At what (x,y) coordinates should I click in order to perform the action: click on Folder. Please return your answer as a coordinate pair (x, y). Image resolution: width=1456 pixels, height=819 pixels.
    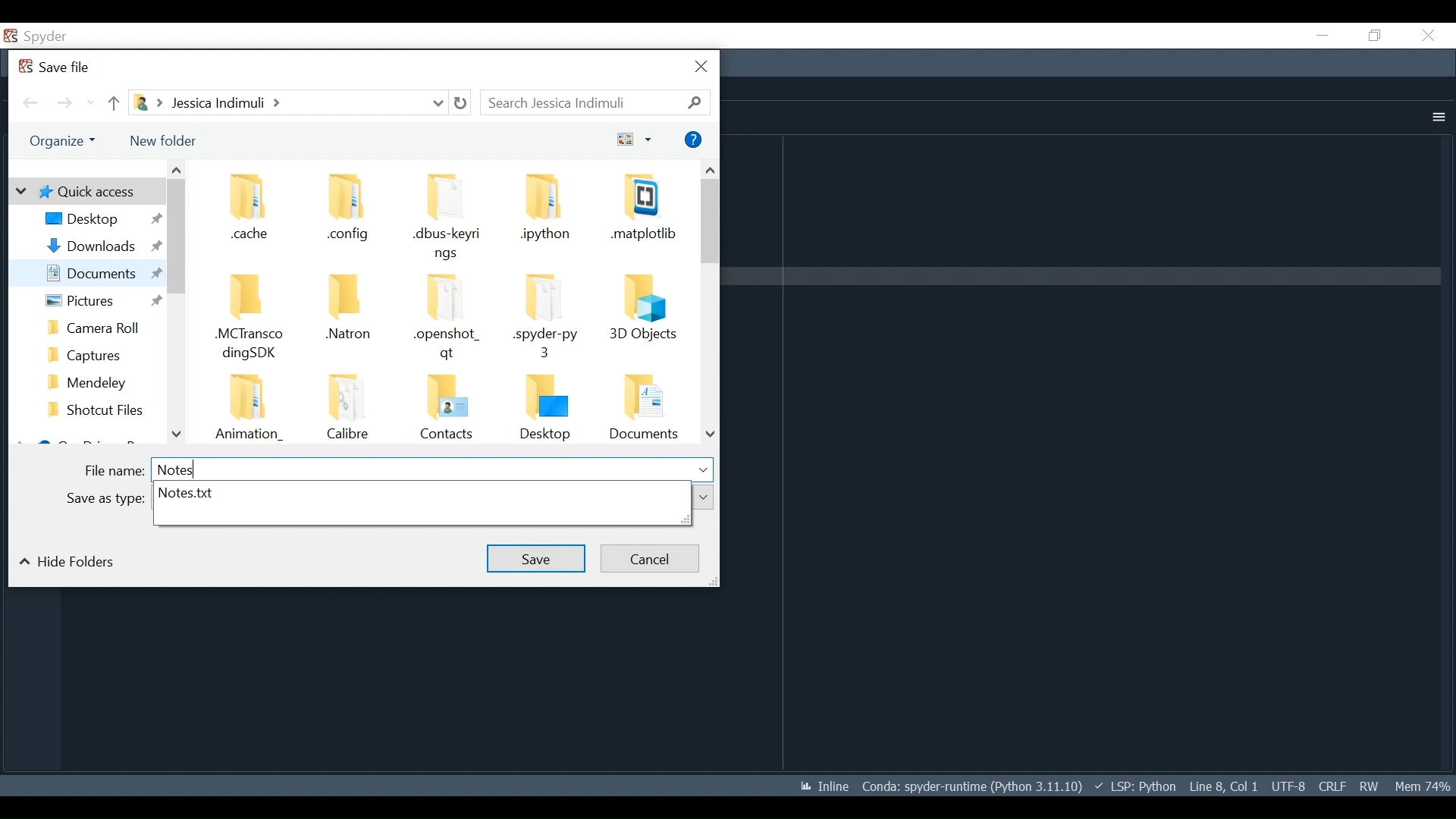
    Looking at the image, I should click on (547, 319).